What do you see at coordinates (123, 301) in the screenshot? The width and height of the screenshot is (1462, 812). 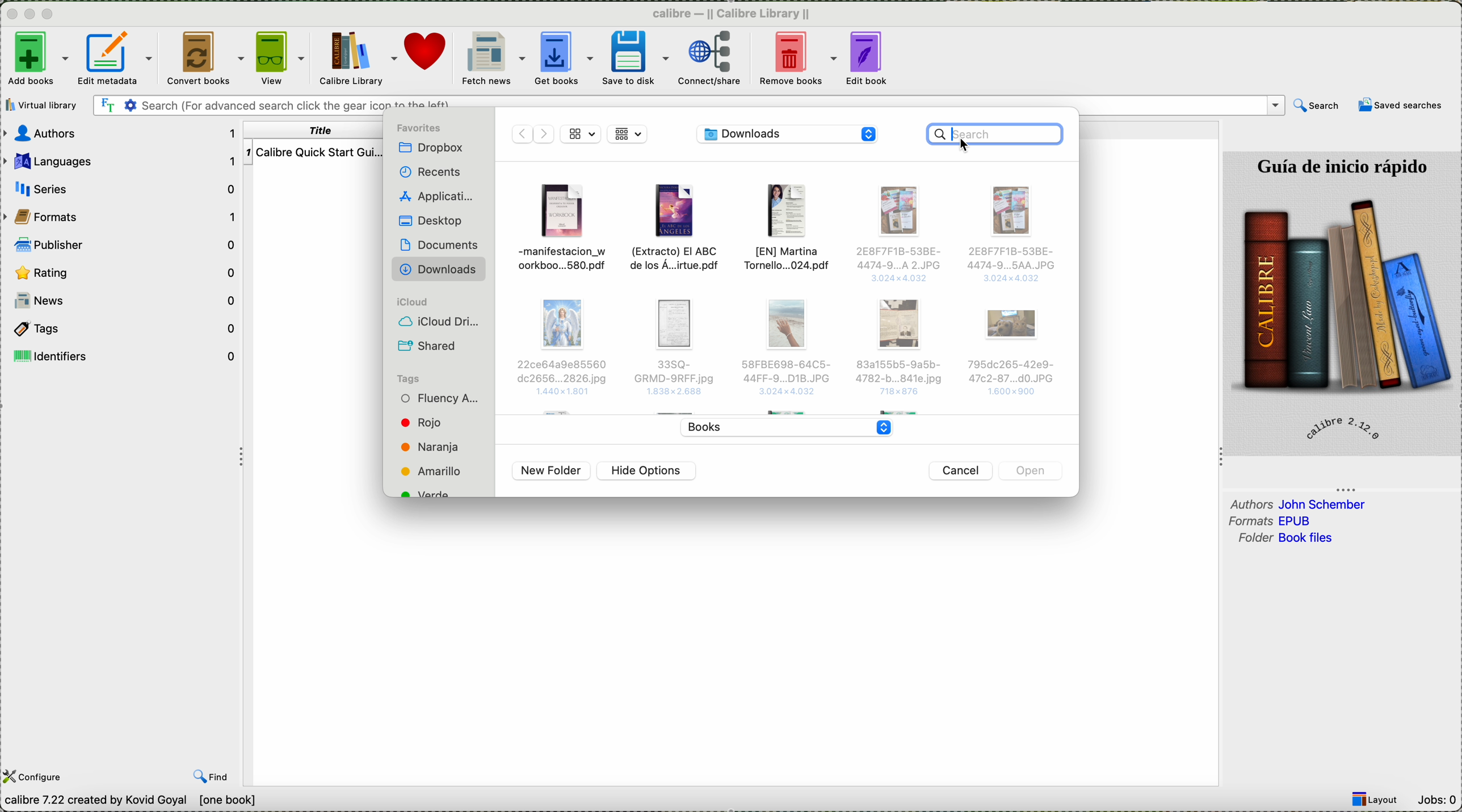 I see `news` at bounding box center [123, 301].